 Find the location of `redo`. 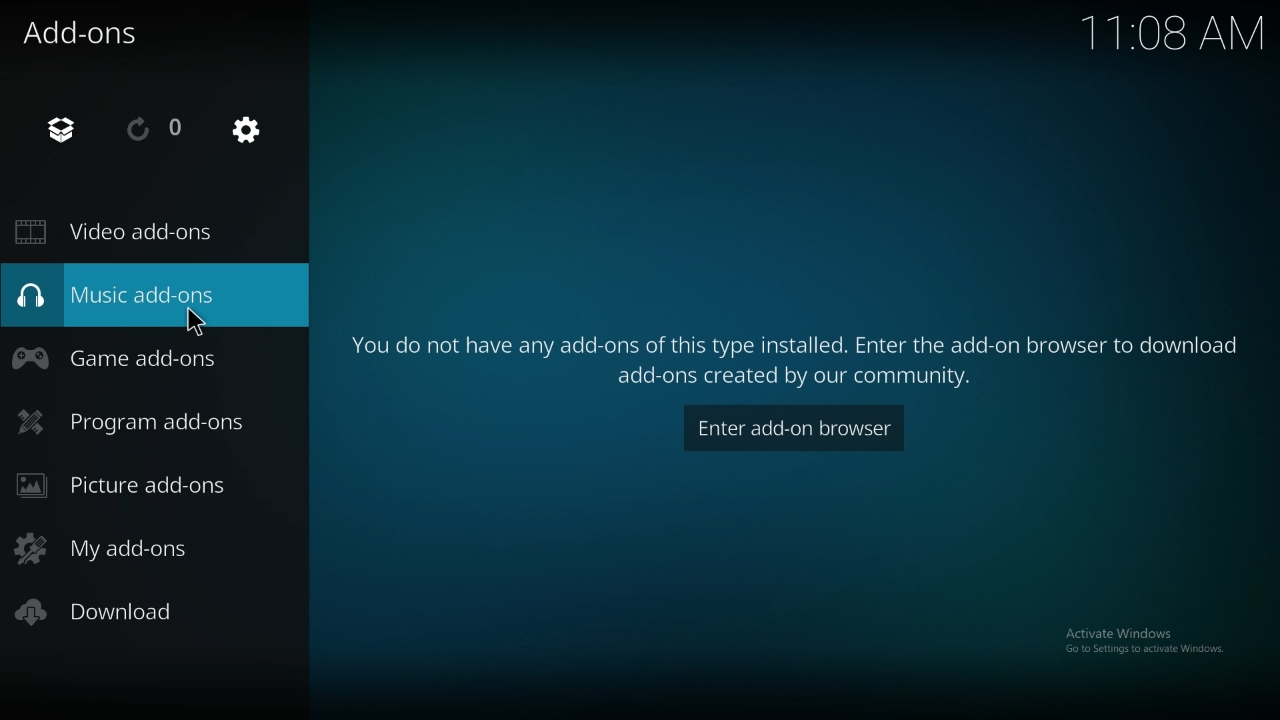

redo is located at coordinates (155, 128).